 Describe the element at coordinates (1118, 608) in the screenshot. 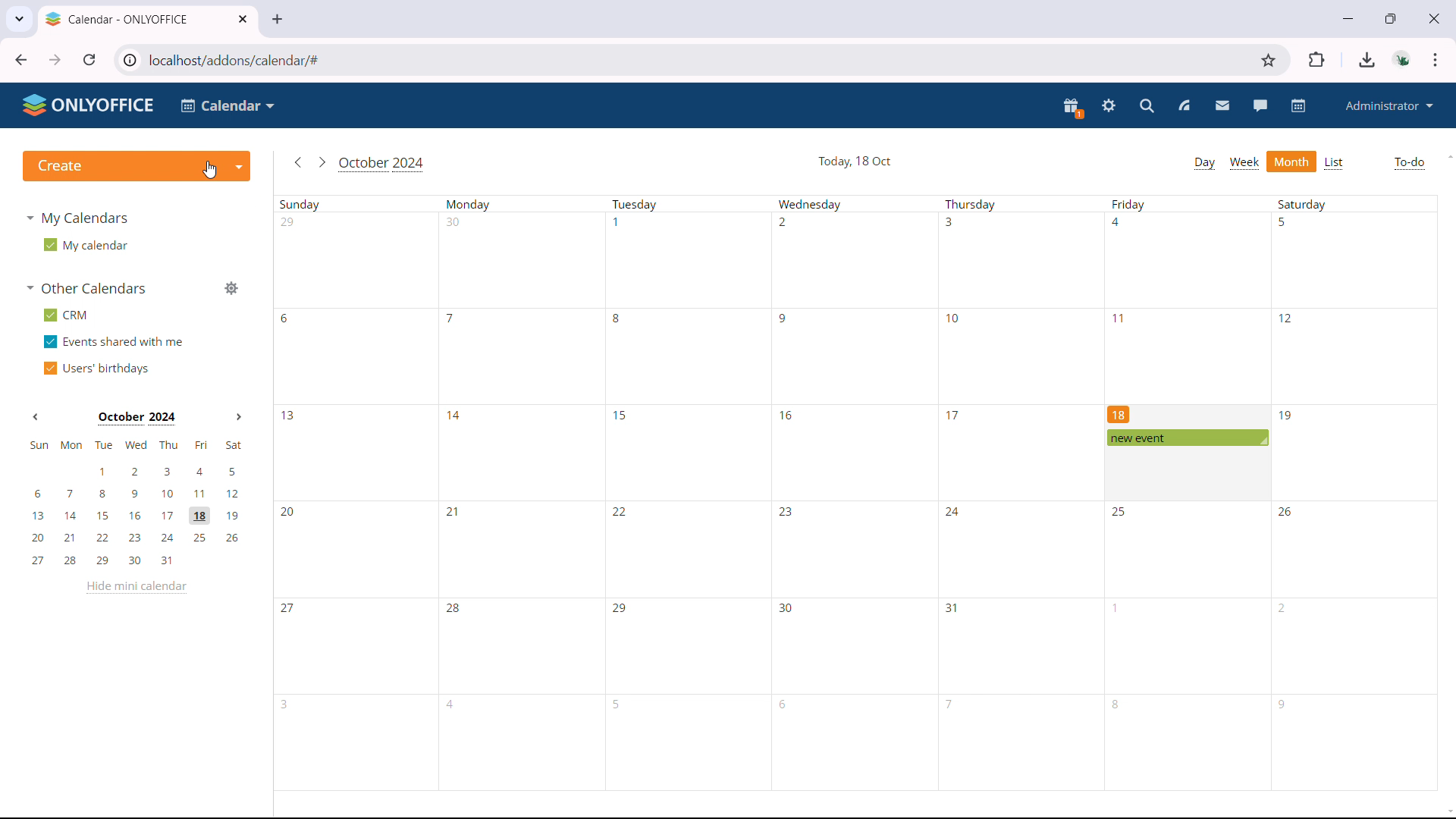

I see `1` at that location.